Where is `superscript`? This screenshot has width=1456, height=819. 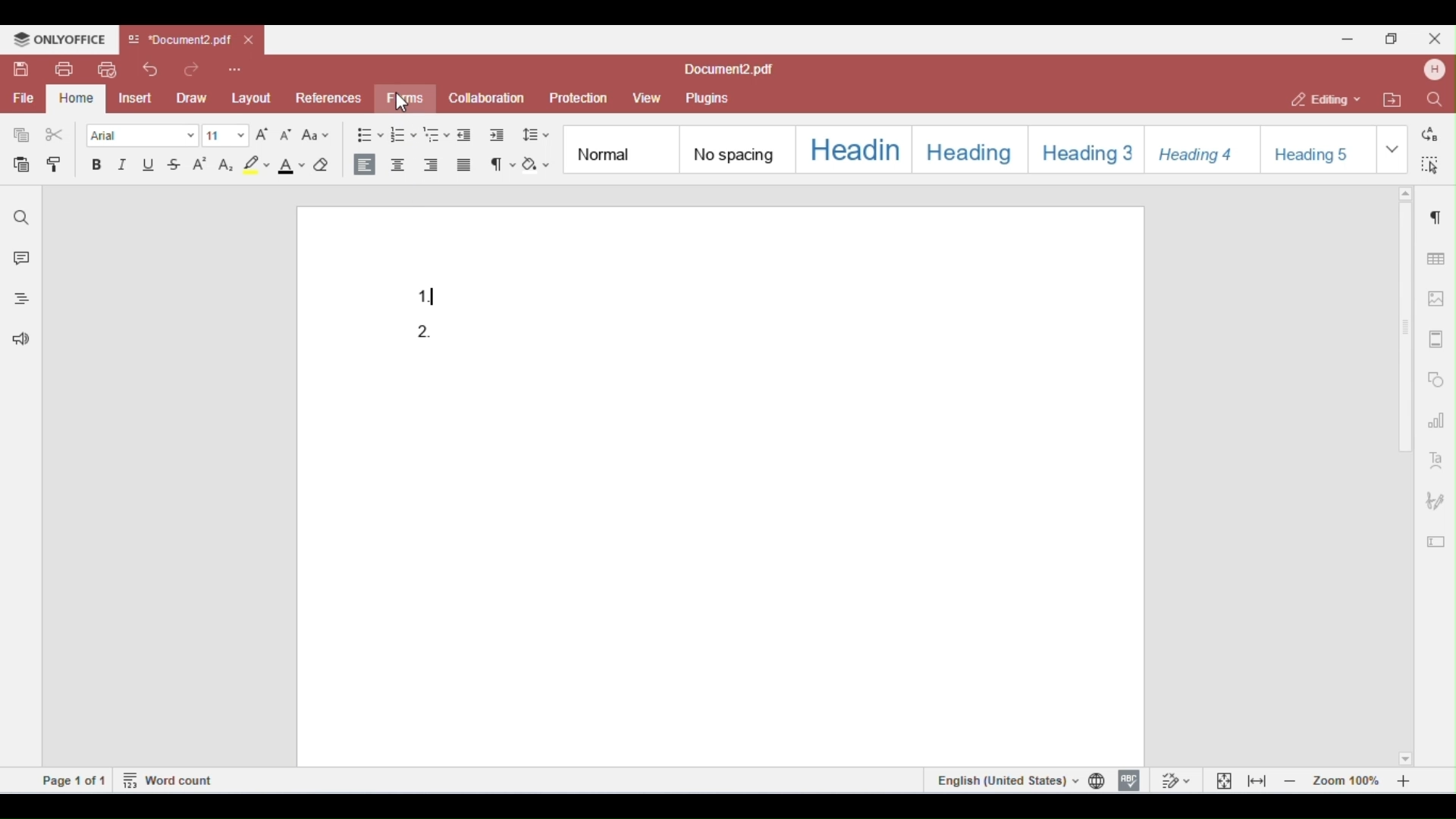 superscript is located at coordinates (199, 165).